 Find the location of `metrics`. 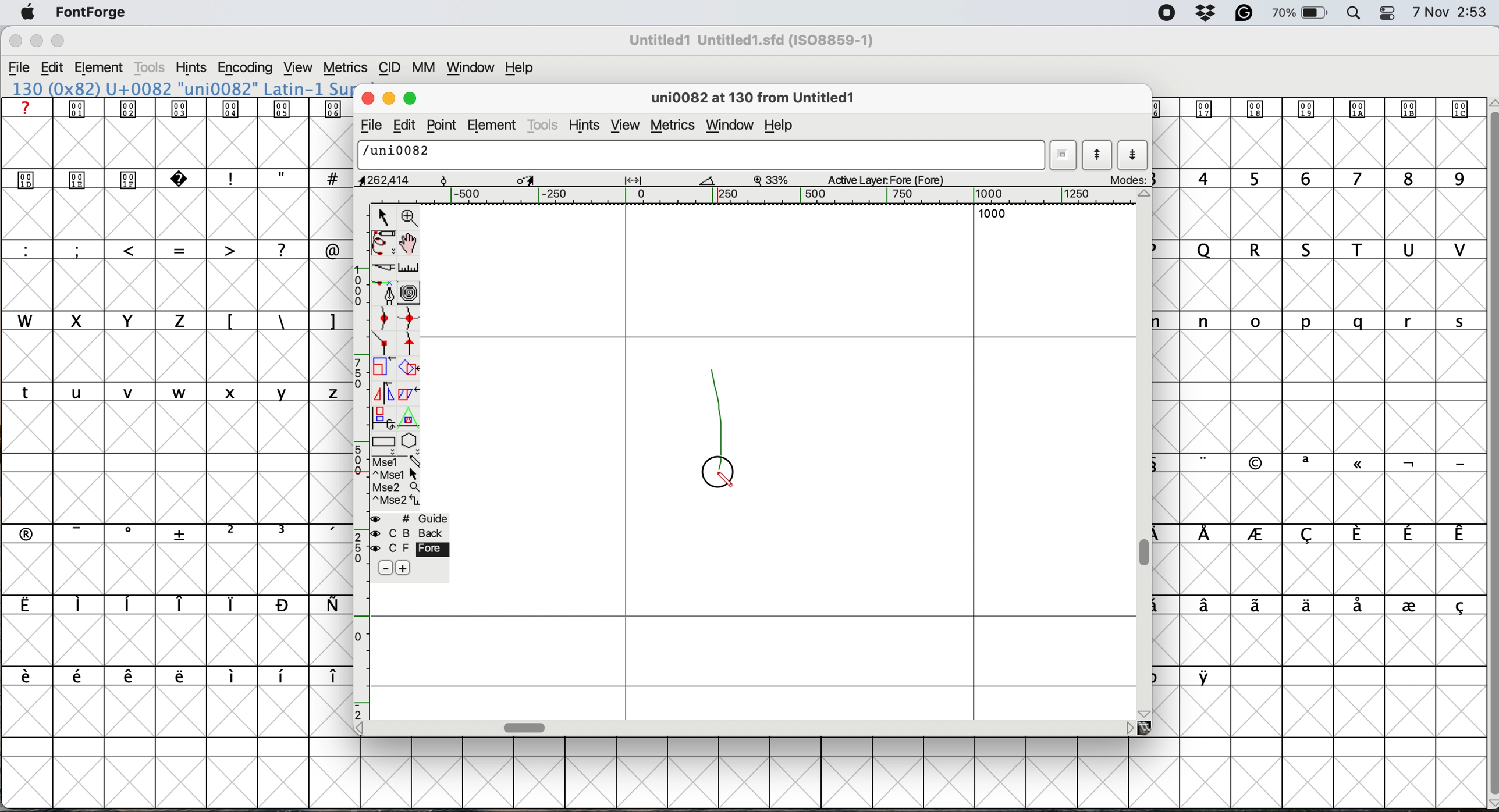

metrics is located at coordinates (347, 66).